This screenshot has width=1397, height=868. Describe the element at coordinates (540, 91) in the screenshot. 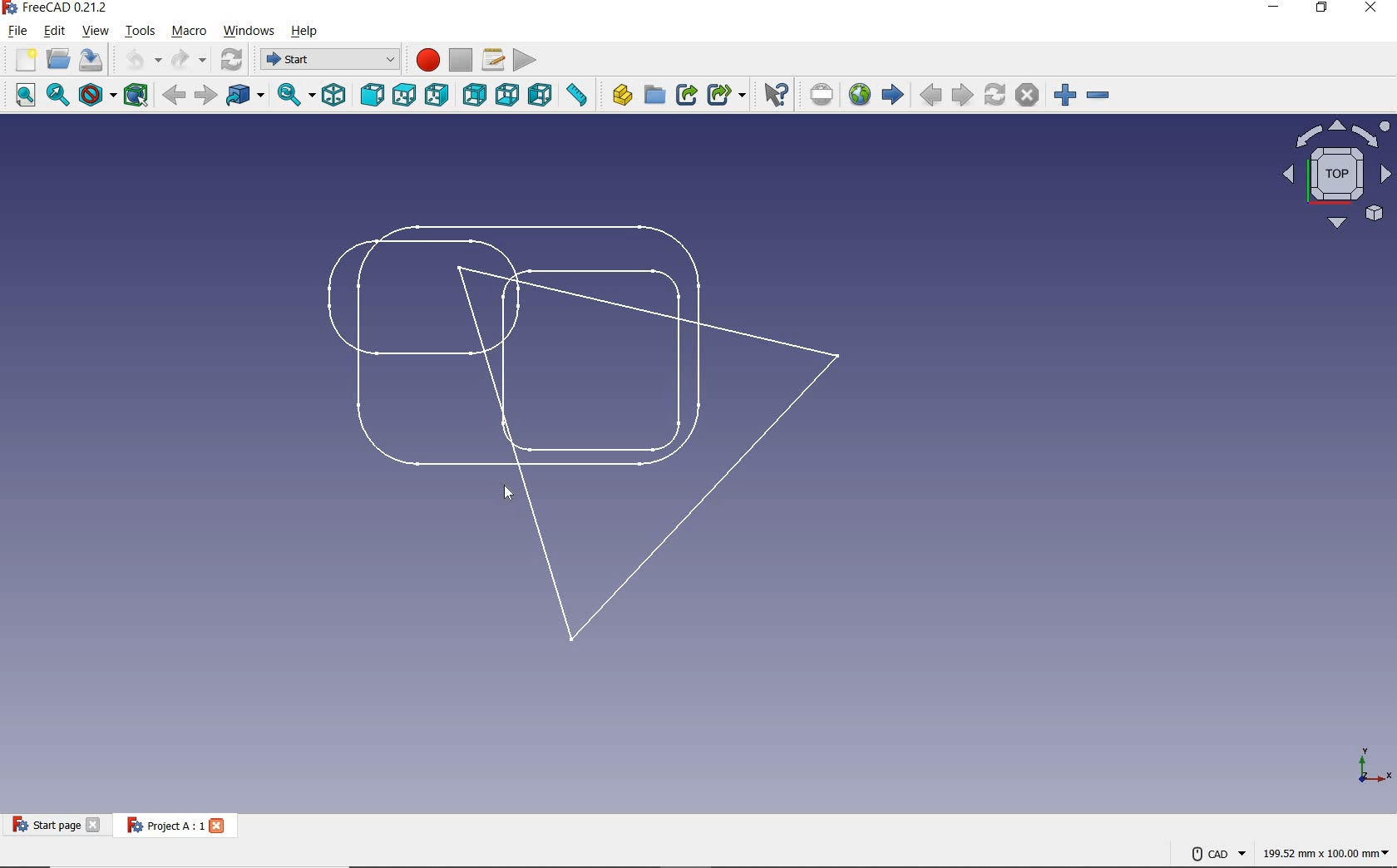

I see `LEFT` at that location.